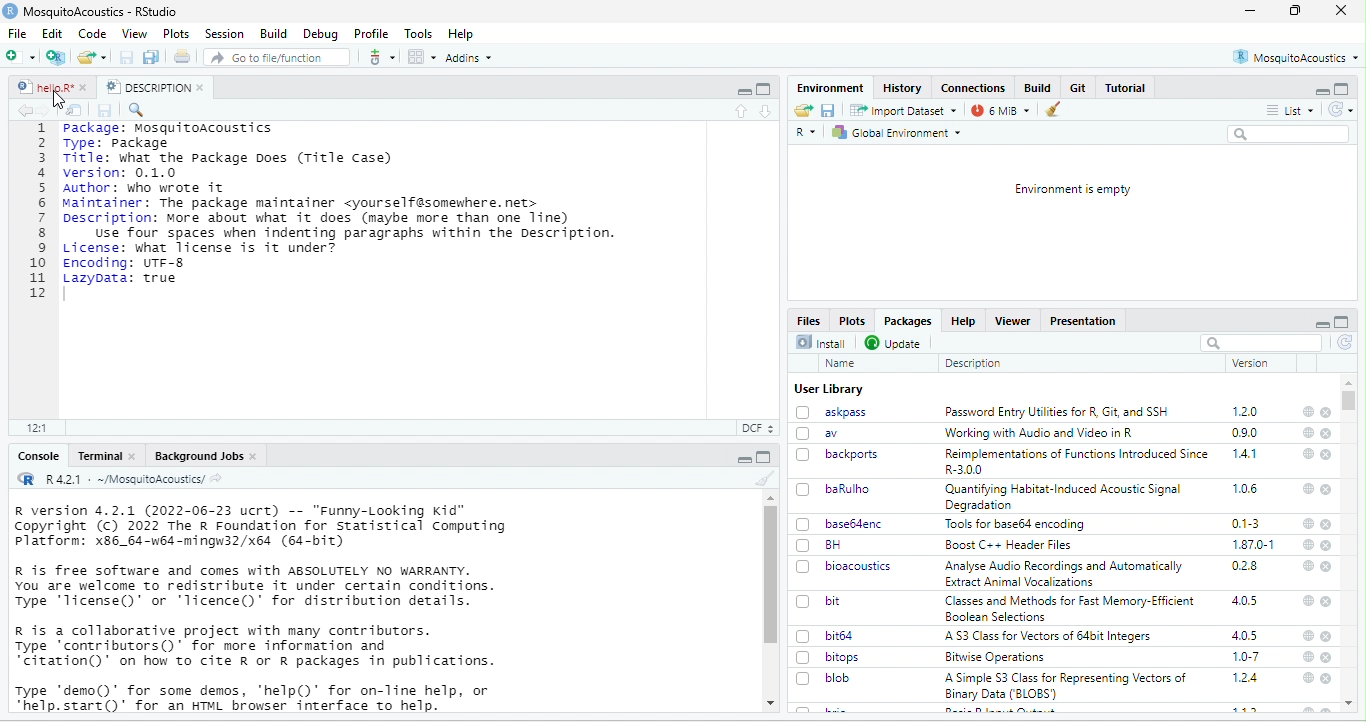 The width and height of the screenshot is (1366, 722). I want to click on full screen, so click(764, 89).